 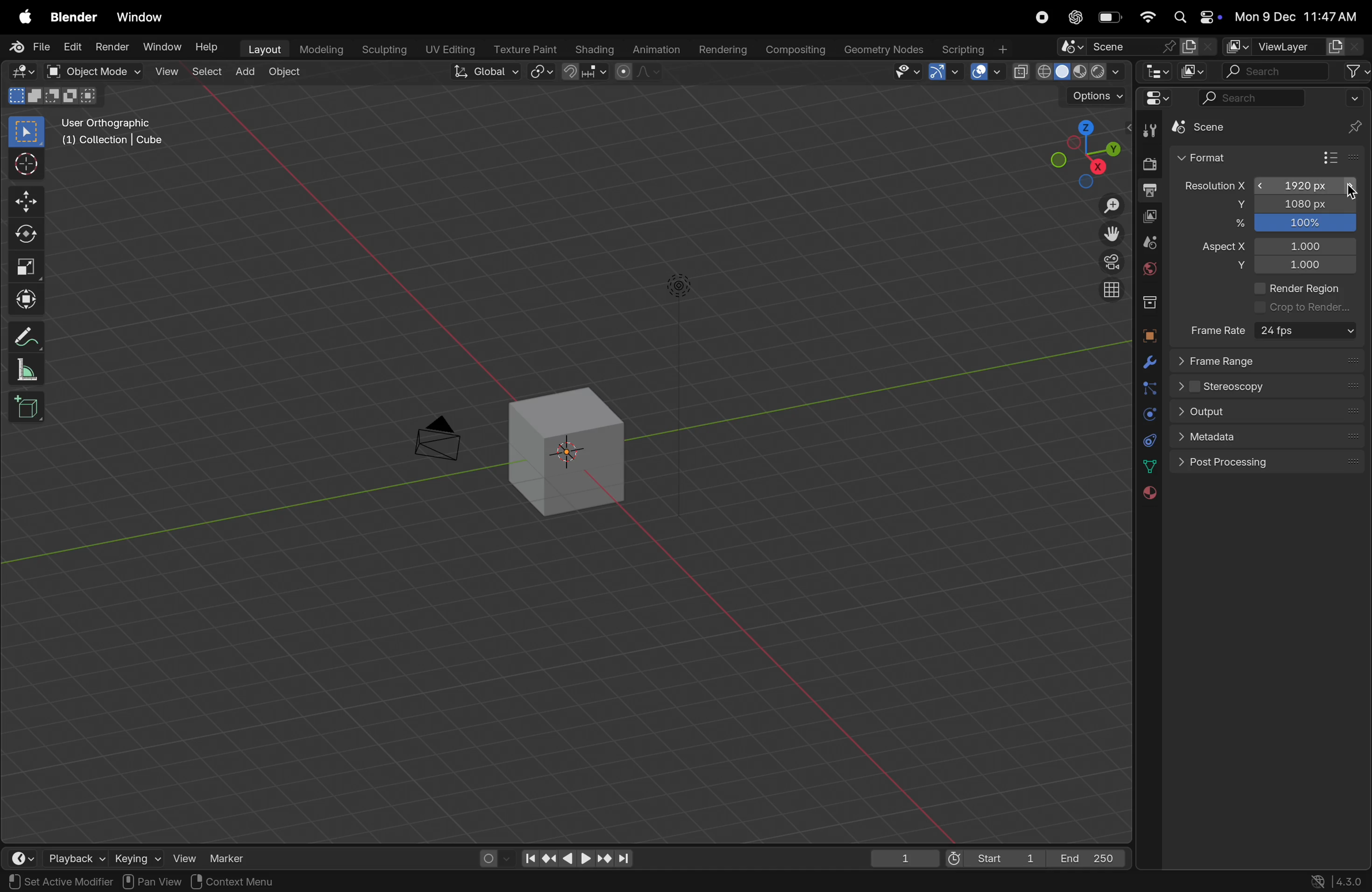 What do you see at coordinates (1153, 100) in the screenshot?
I see `editor type` at bounding box center [1153, 100].